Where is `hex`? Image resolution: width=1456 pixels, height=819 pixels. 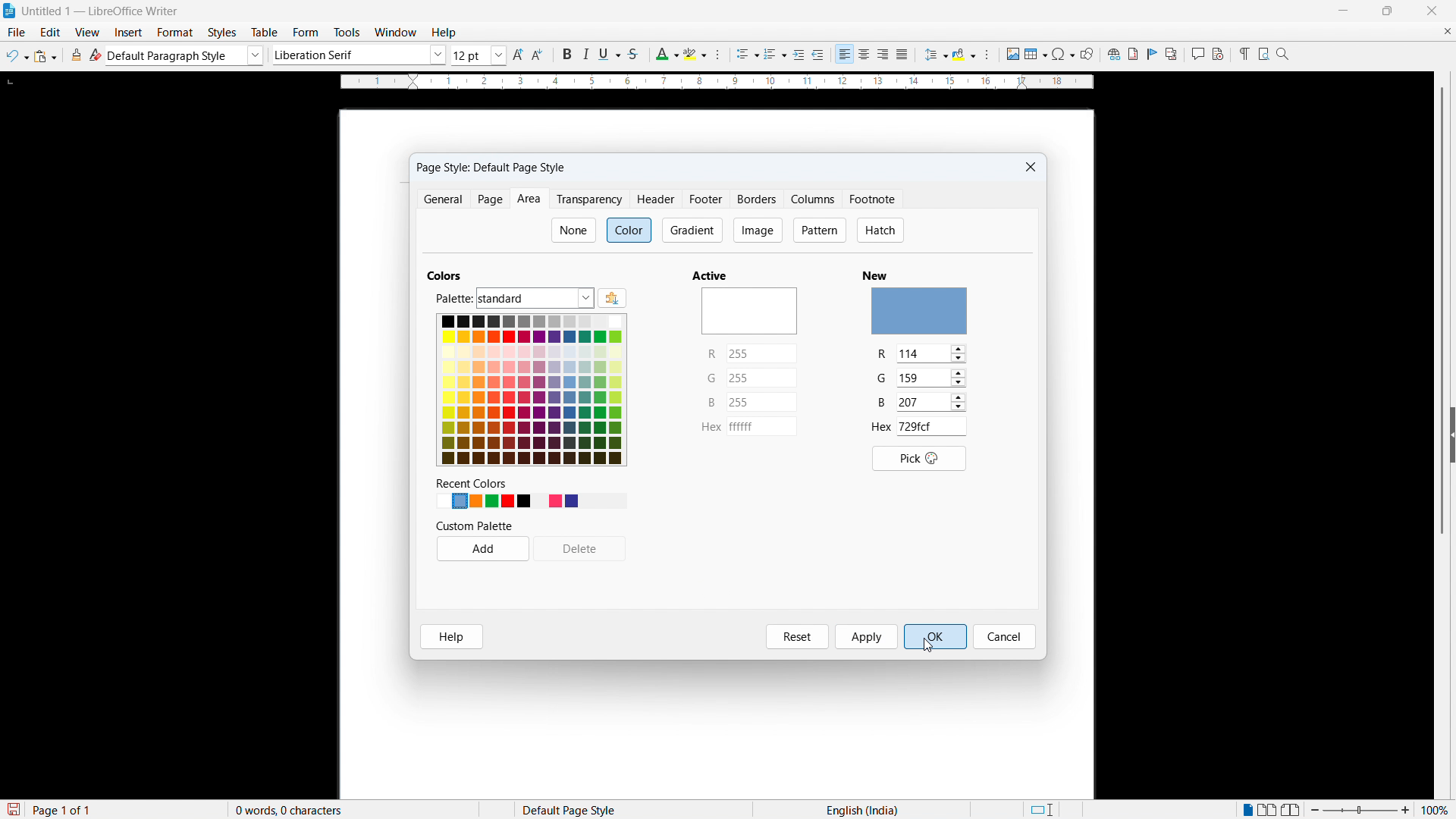
hex is located at coordinates (881, 426).